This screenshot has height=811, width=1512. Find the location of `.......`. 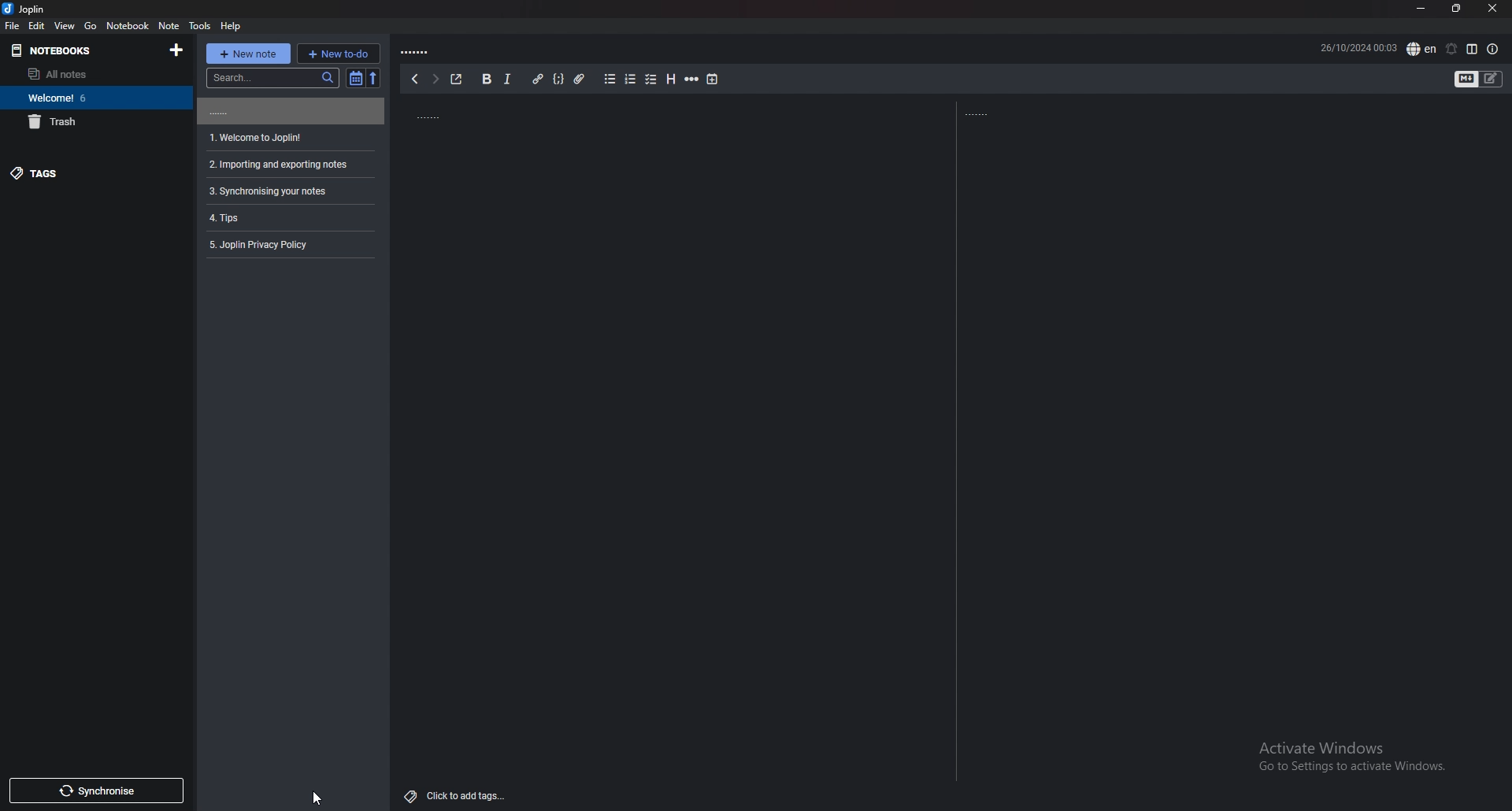

....... is located at coordinates (419, 50).